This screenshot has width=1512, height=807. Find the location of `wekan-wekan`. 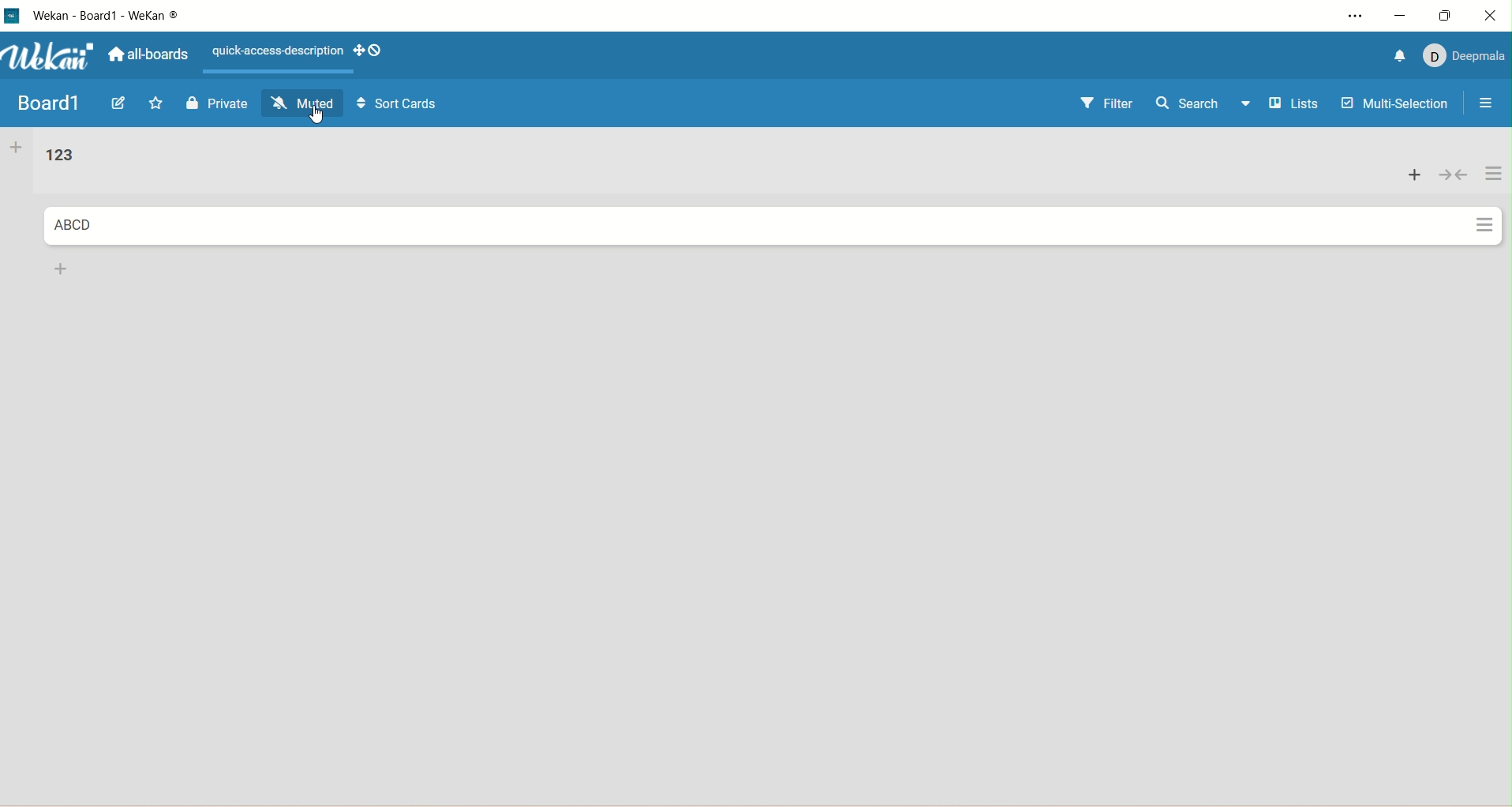

wekan-wekan is located at coordinates (107, 16).